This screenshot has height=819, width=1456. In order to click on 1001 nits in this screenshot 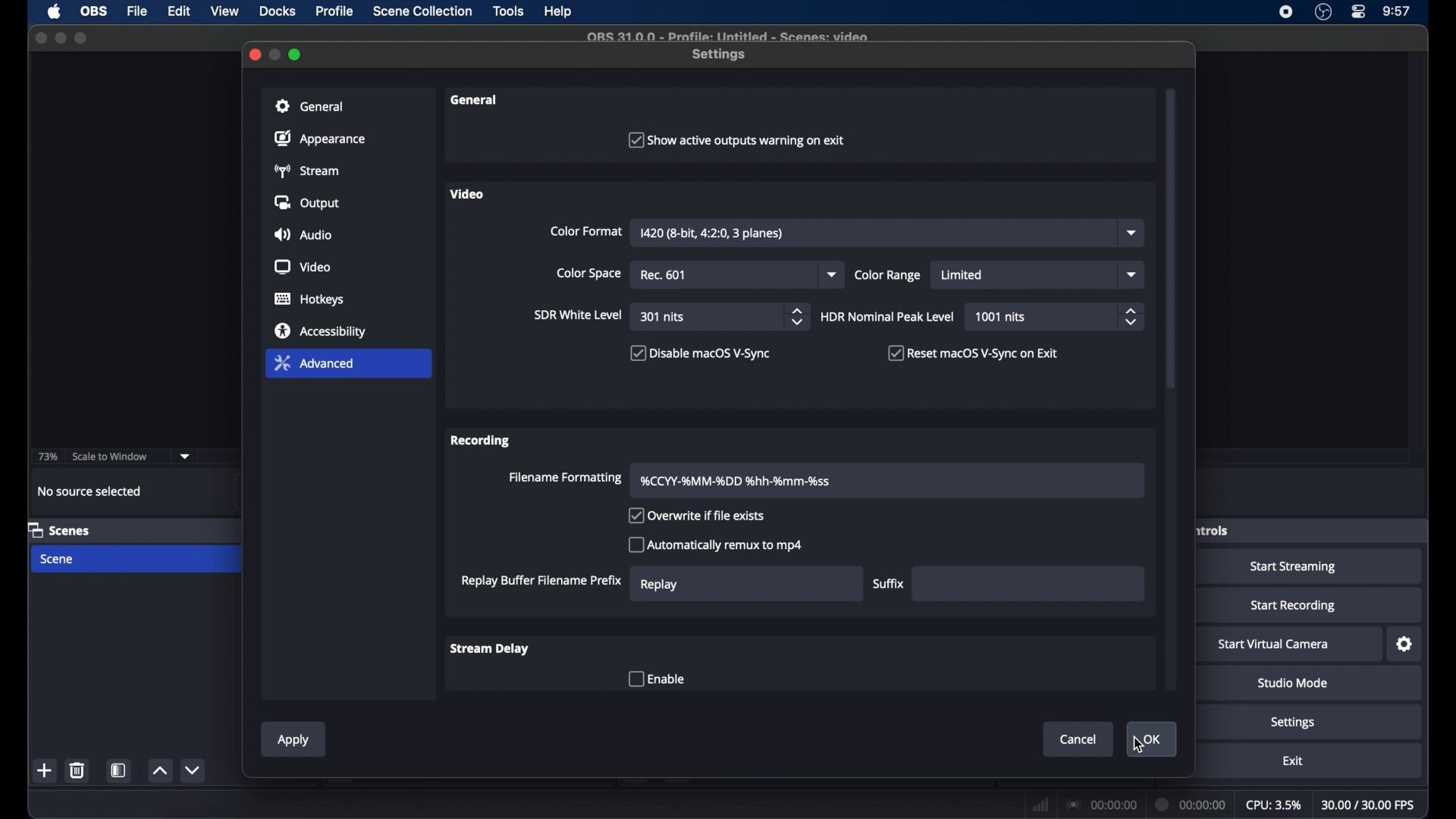, I will do `click(1001, 317)`.